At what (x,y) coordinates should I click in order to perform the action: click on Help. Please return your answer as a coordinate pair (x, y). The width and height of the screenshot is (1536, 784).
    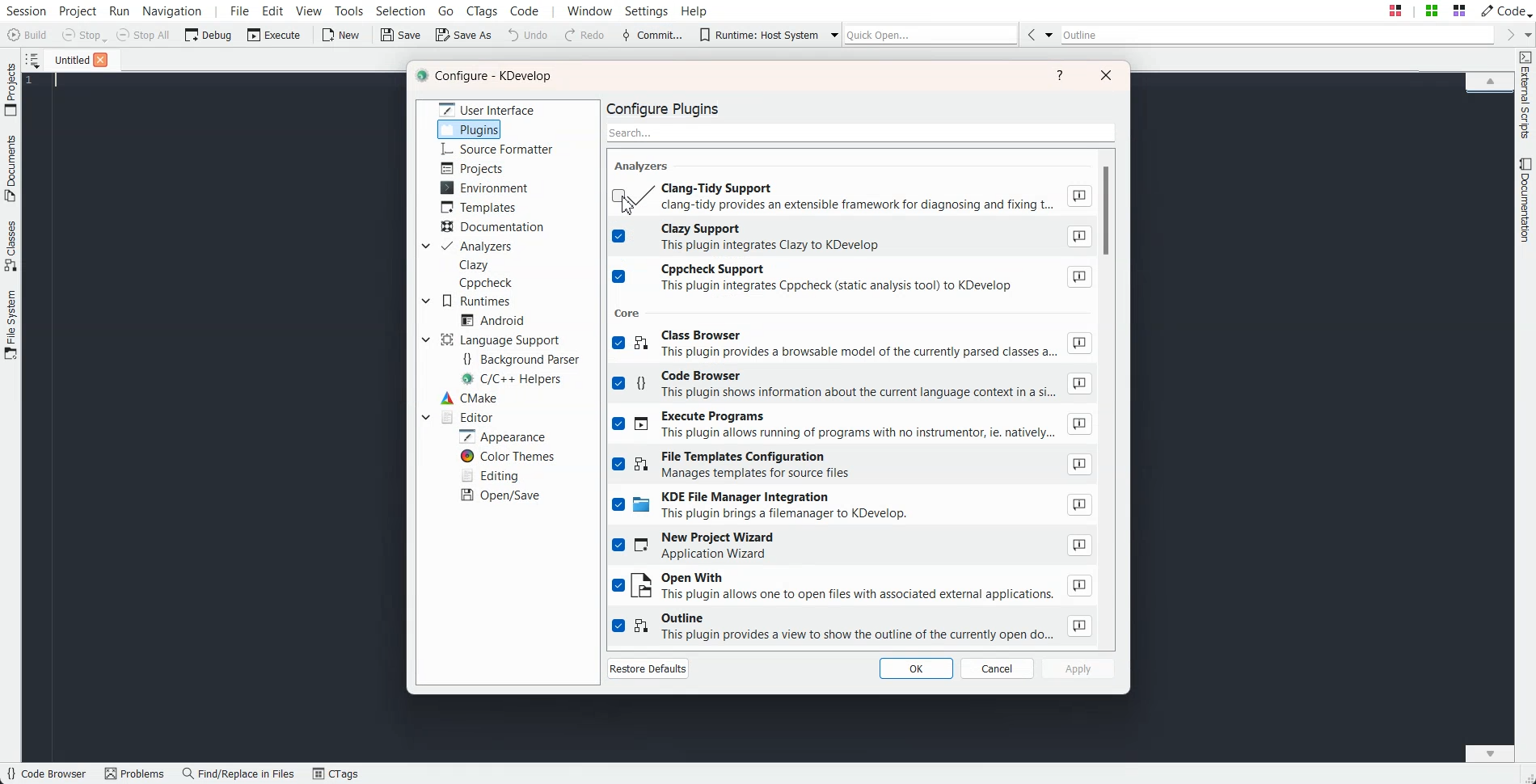
    Looking at the image, I should click on (1061, 75).